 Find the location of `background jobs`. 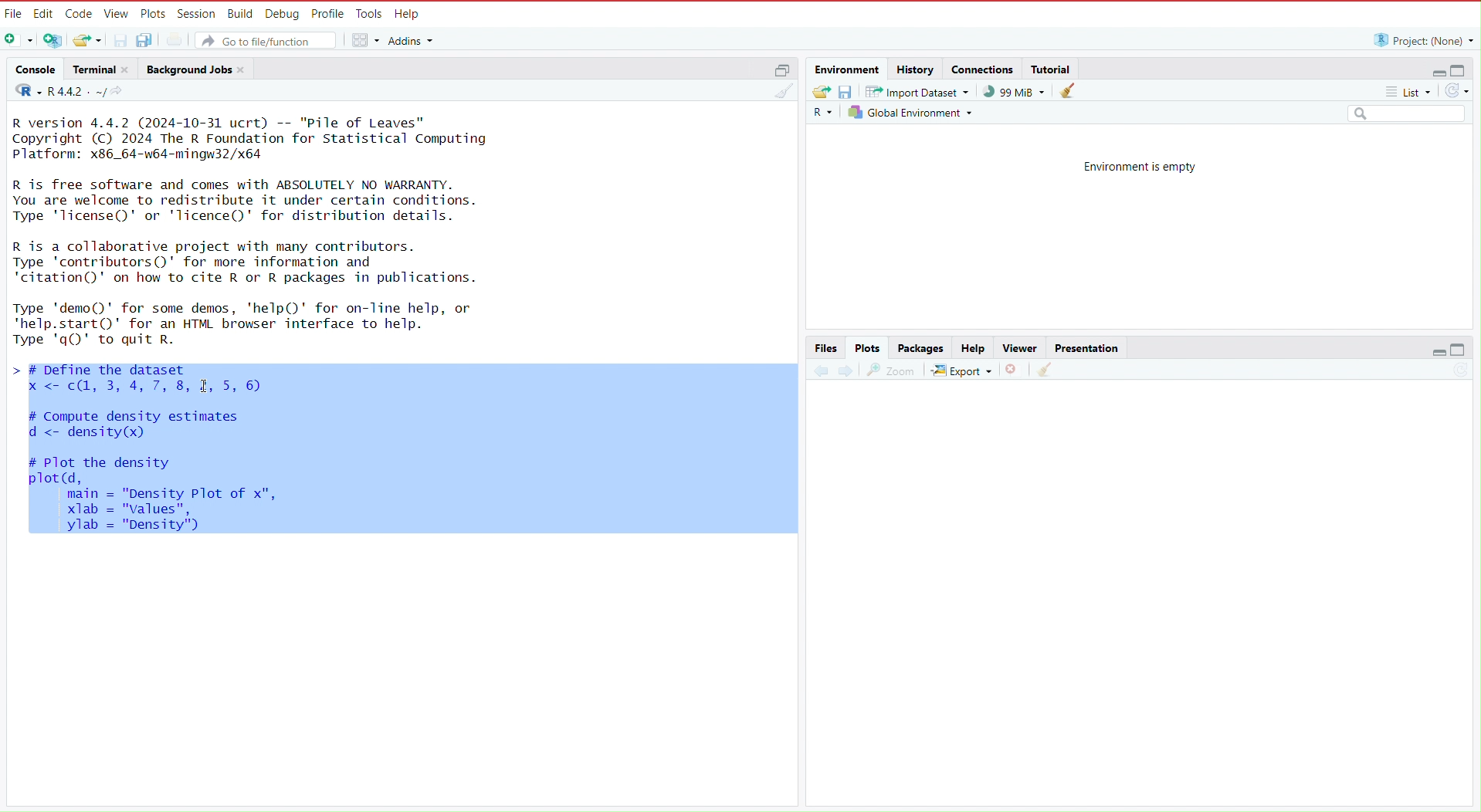

background jobs is located at coordinates (188, 68).